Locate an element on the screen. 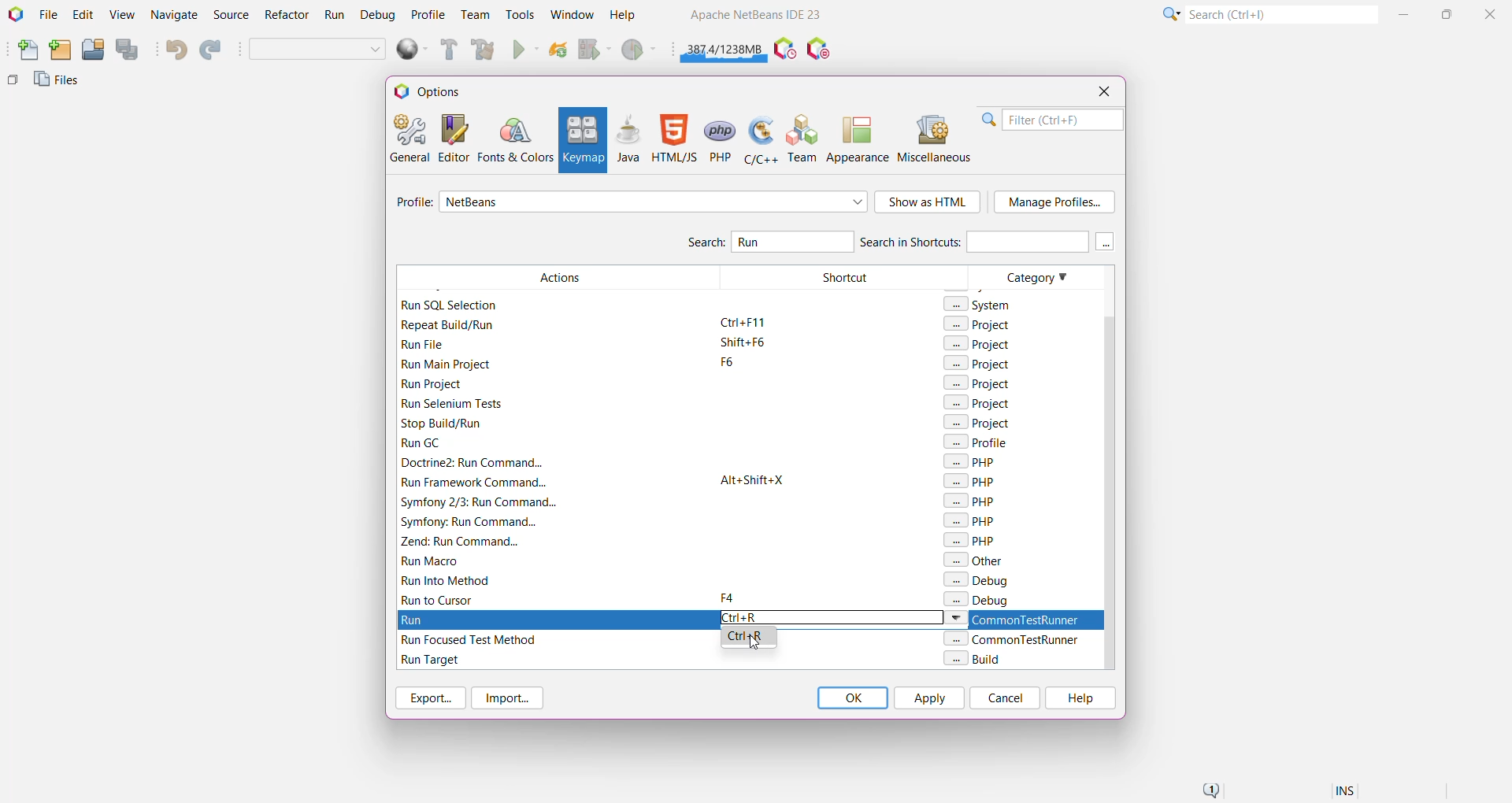  Build Main Project is located at coordinates (447, 50).